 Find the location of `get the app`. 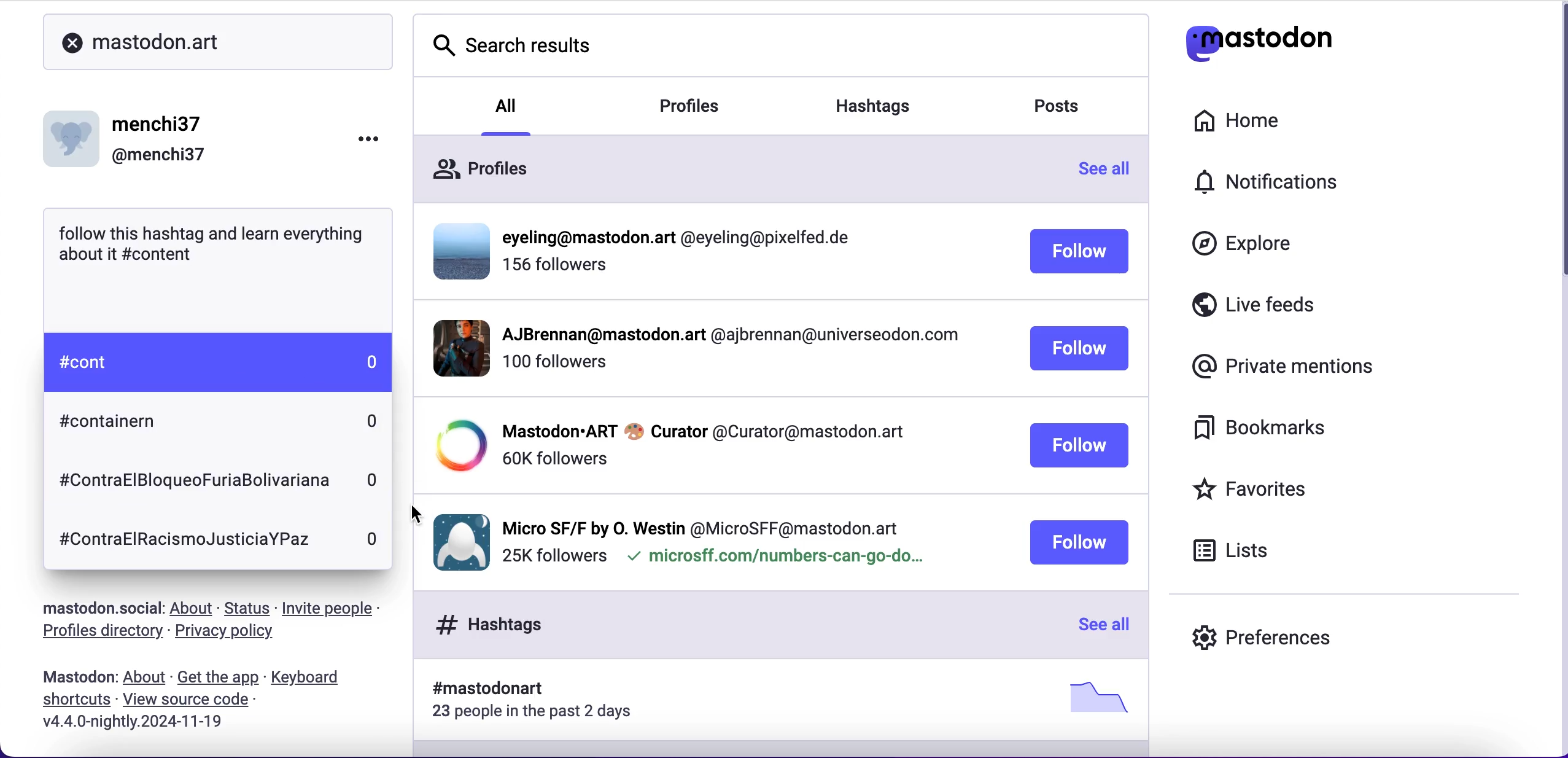

get the app is located at coordinates (217, 678).